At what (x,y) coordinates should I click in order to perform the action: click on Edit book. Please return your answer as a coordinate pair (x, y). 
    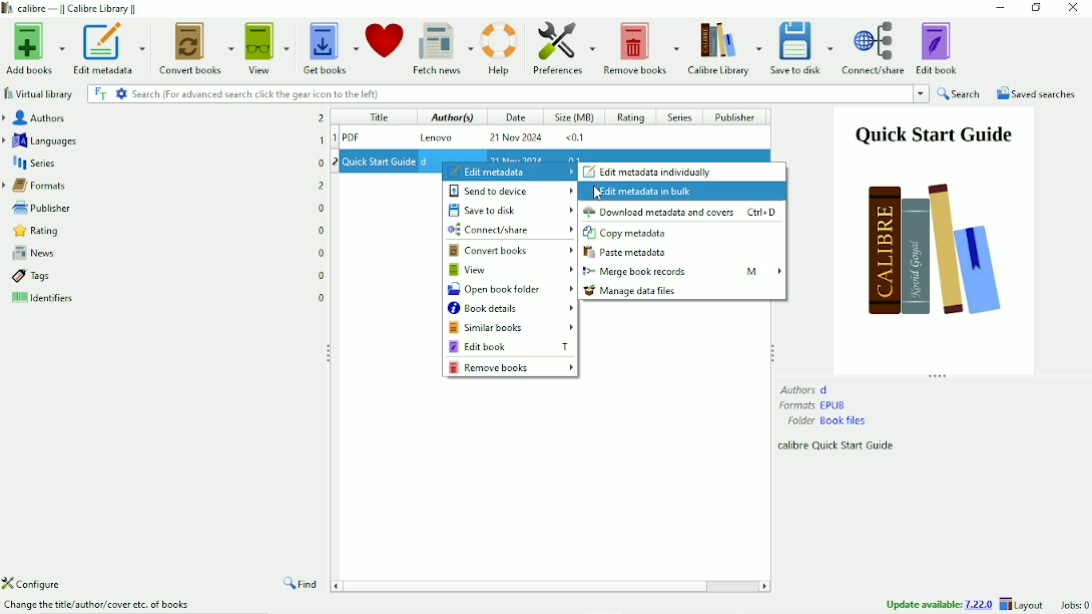
    Looking at the image, I should click on (939, 47).